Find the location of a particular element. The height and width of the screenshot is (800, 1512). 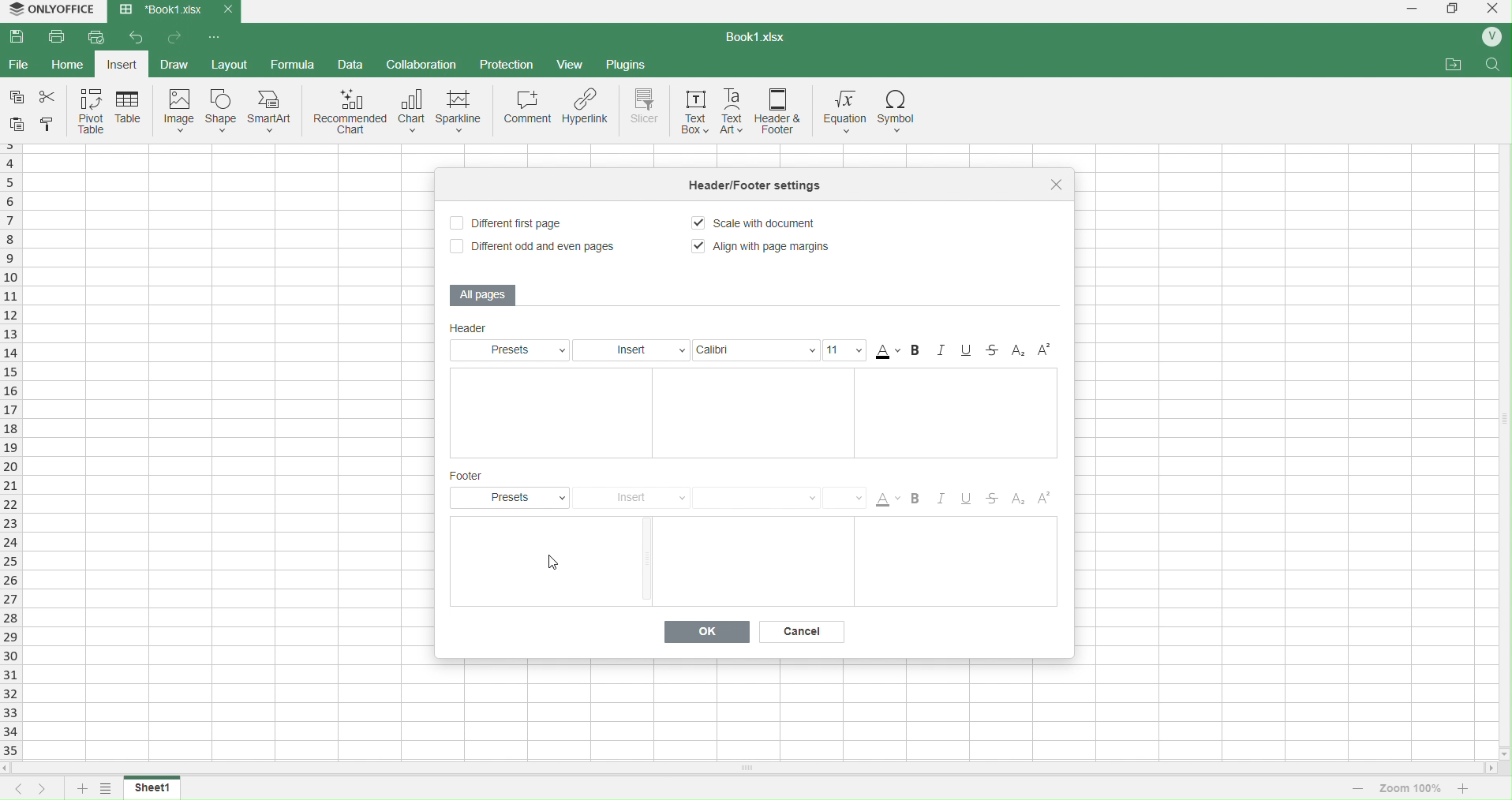

home is located at coordinates (68, 64).